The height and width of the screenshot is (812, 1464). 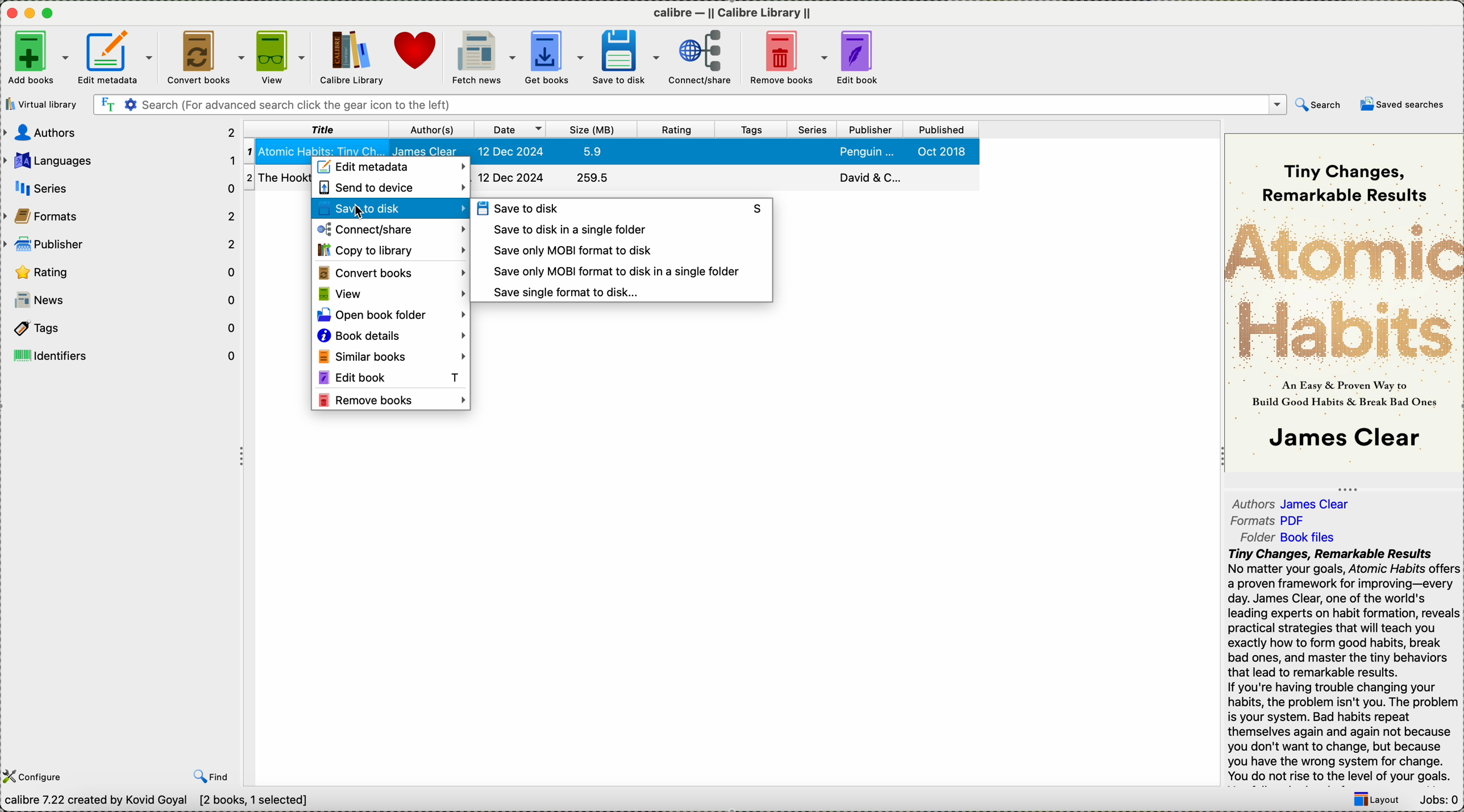 What do you see at coordinates (280, 56) in the screenshot?
I see `view` at bounding box center [280, 56].